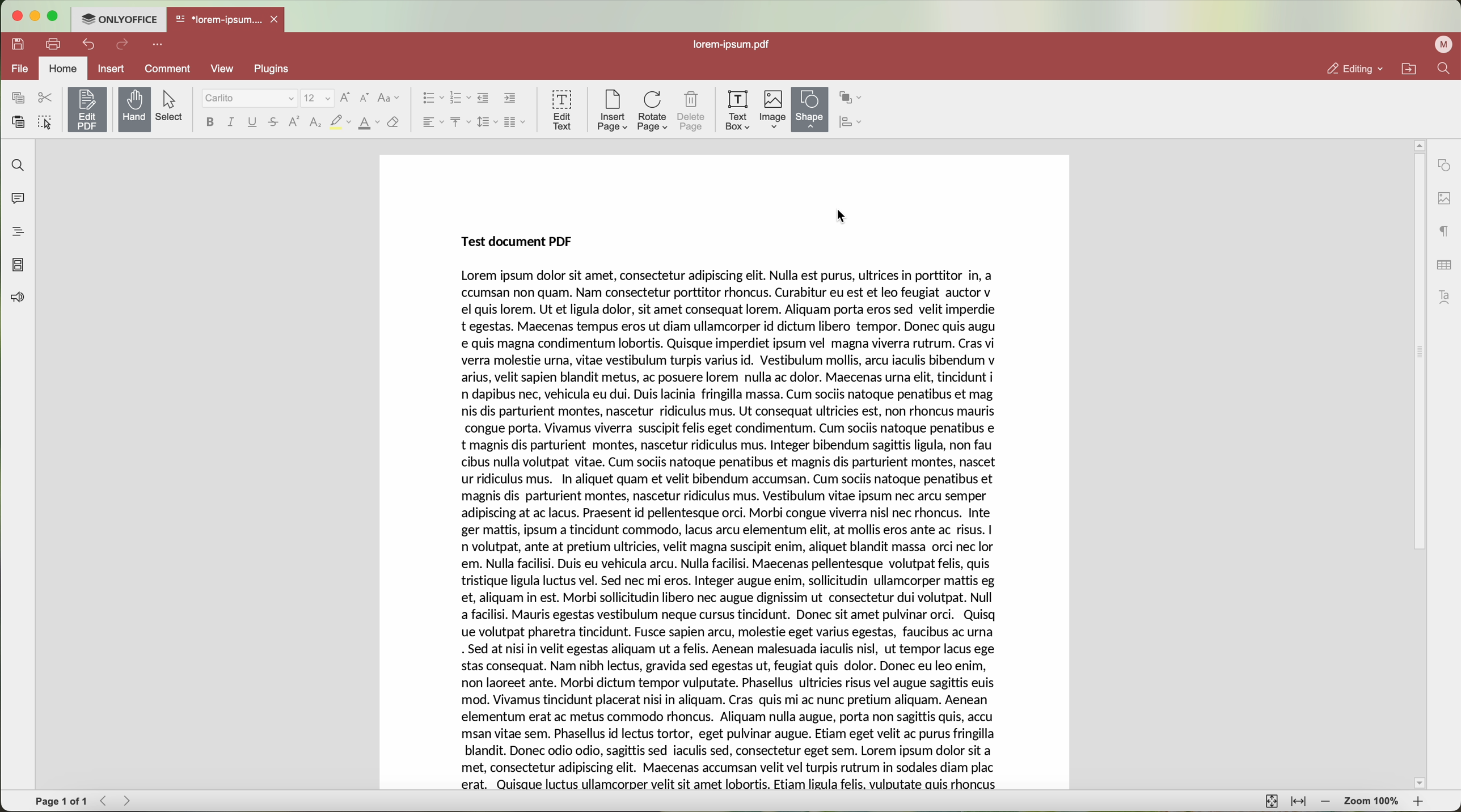 The width and height of the screenshot is (1461, 812). I want to click on scrollbar, so click(1418, 464).